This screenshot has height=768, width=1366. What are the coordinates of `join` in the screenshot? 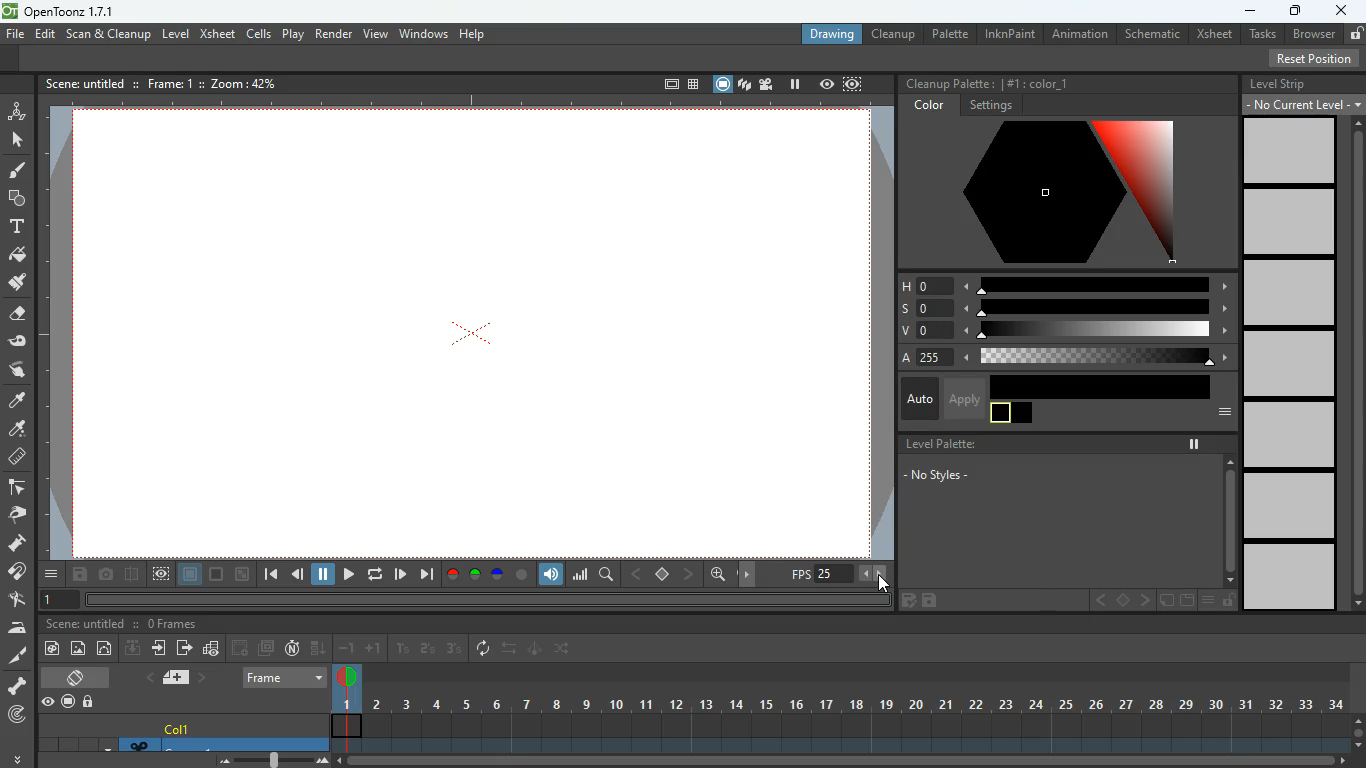 It's located at (16, 572).